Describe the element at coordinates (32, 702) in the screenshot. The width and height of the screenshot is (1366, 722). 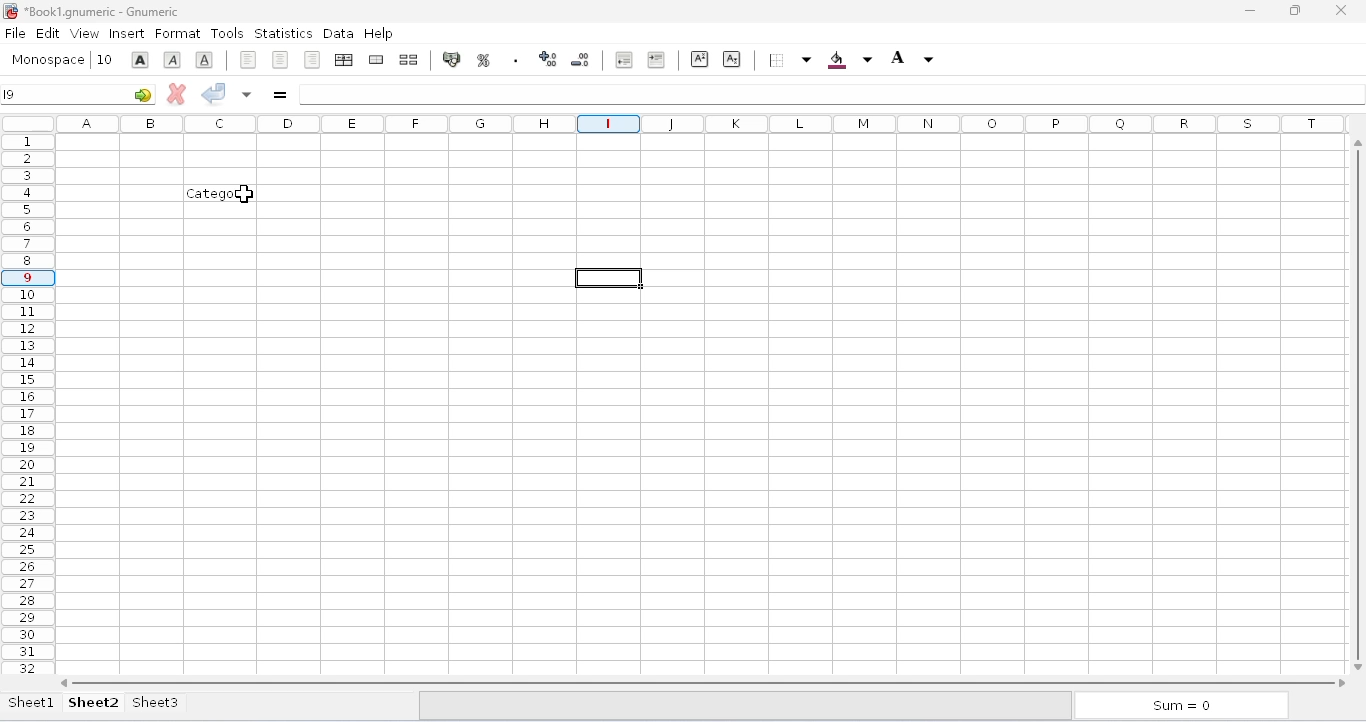
I see `sheet1` at that location.